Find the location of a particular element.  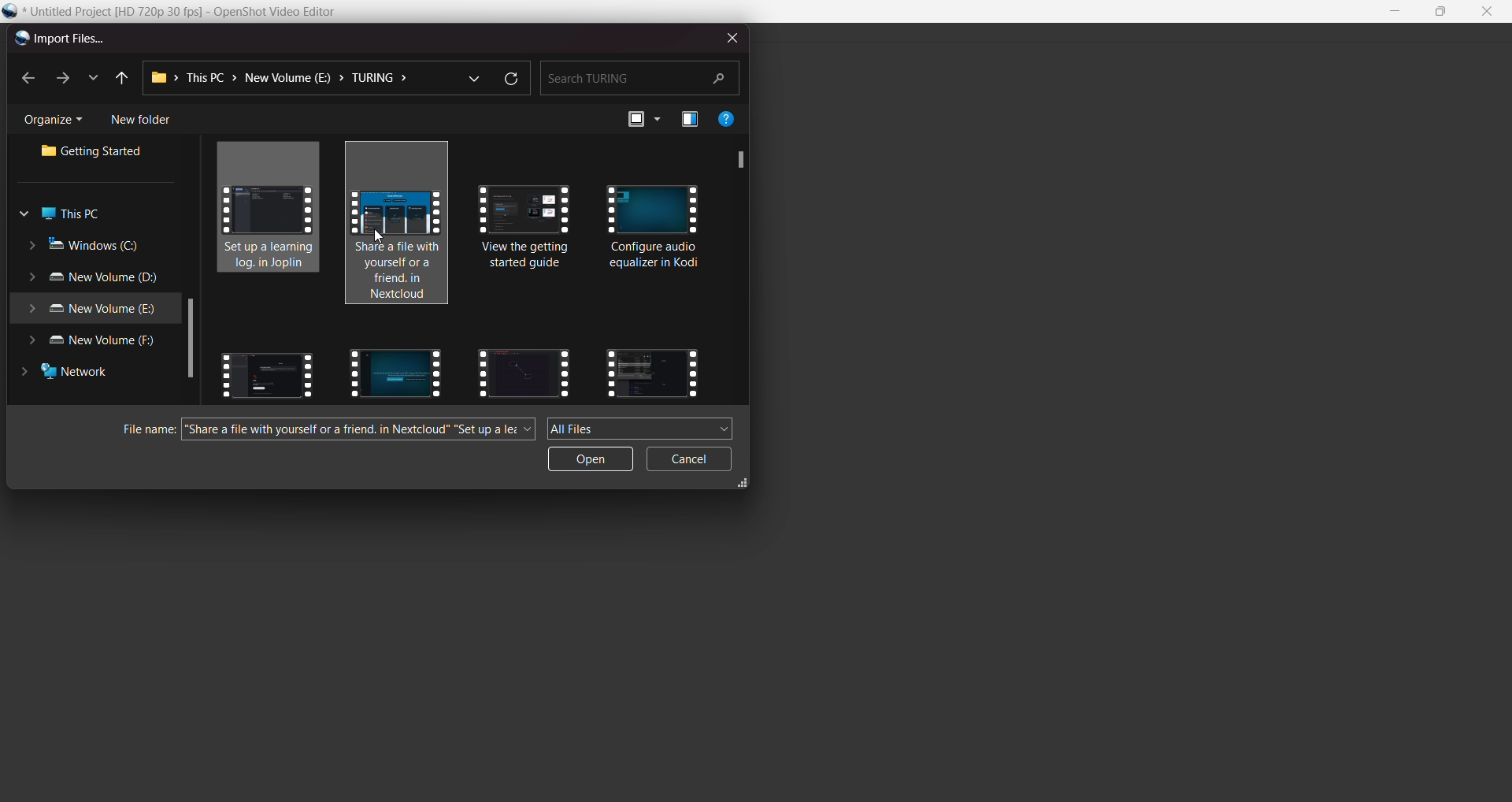

open is located at coordinates (591, 459).